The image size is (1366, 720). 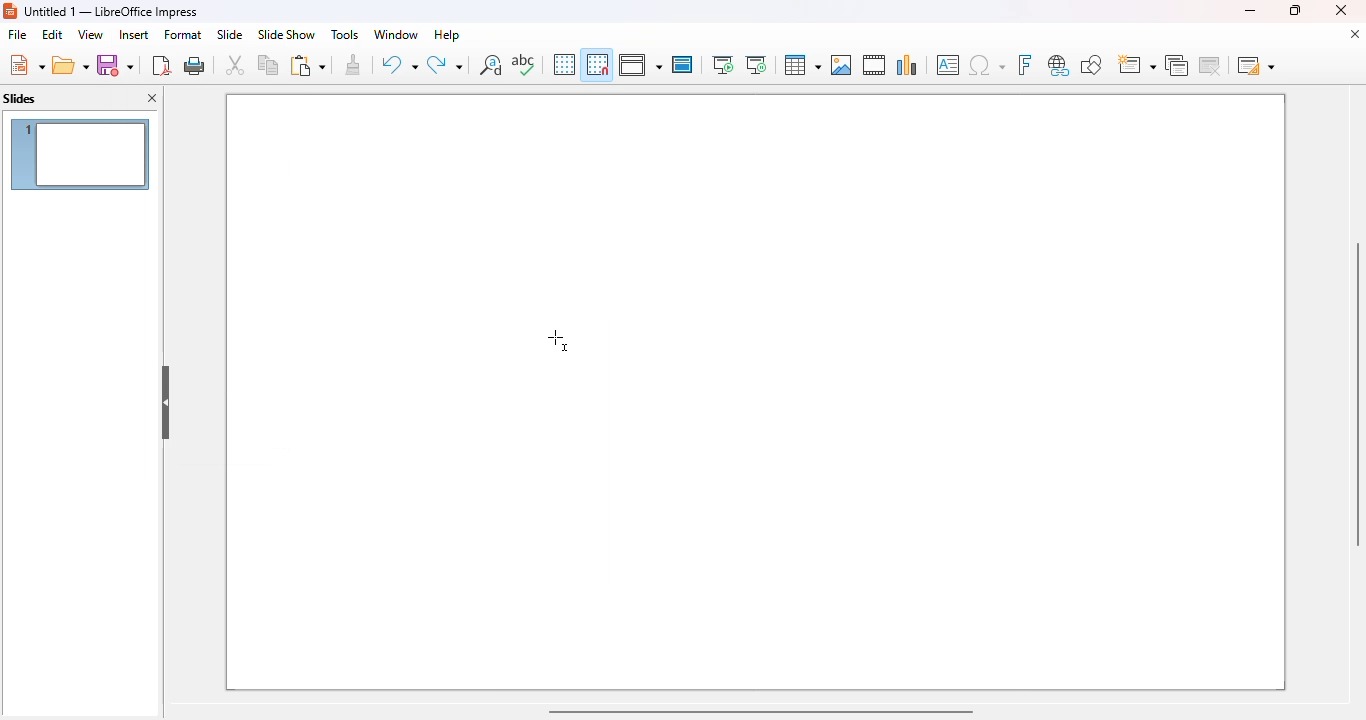 I want to click on insert hyperlink, so click(x=1059, y=65).